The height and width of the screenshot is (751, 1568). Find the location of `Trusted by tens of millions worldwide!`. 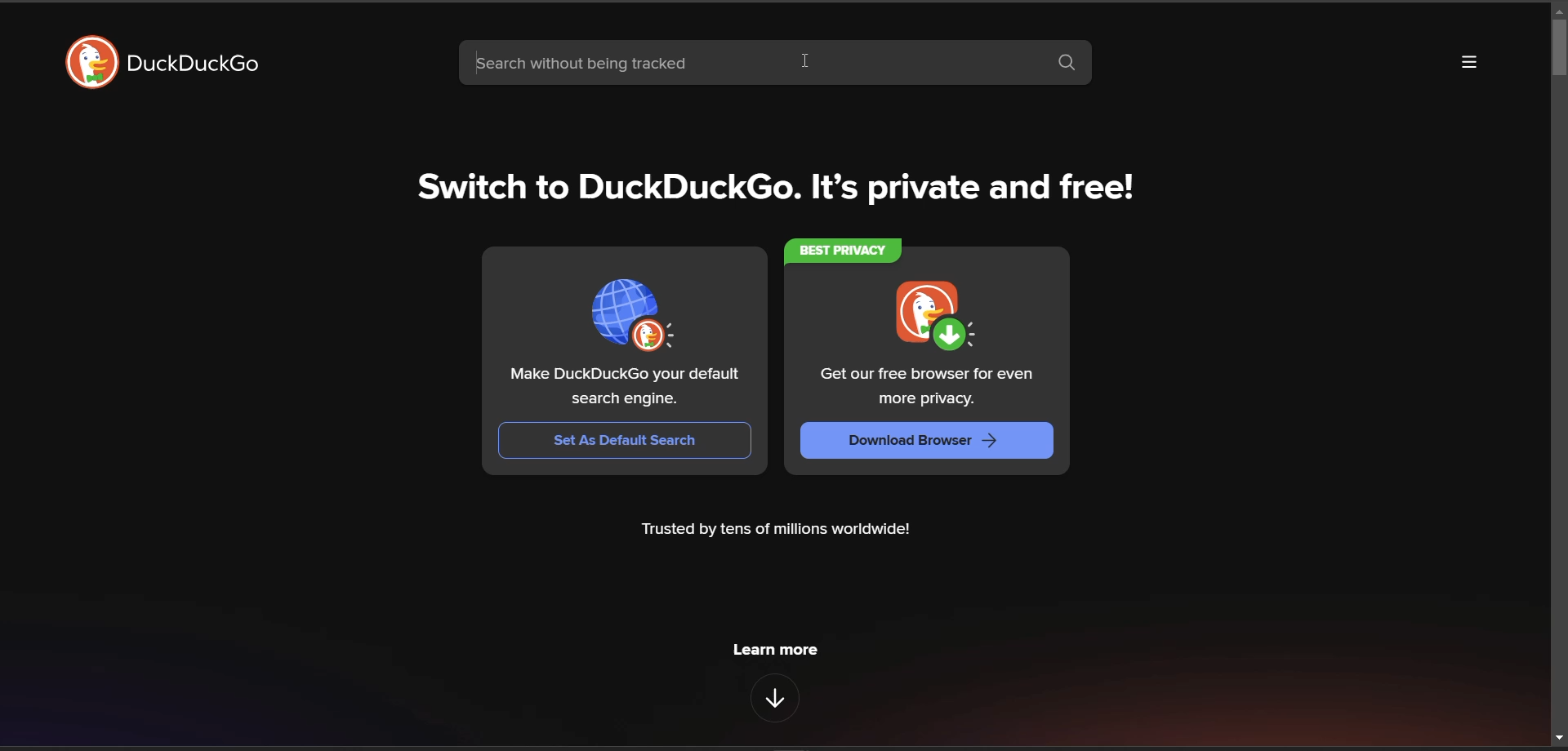

Trusted by tens of millions worldwide! is located at coordinates (777, 531).